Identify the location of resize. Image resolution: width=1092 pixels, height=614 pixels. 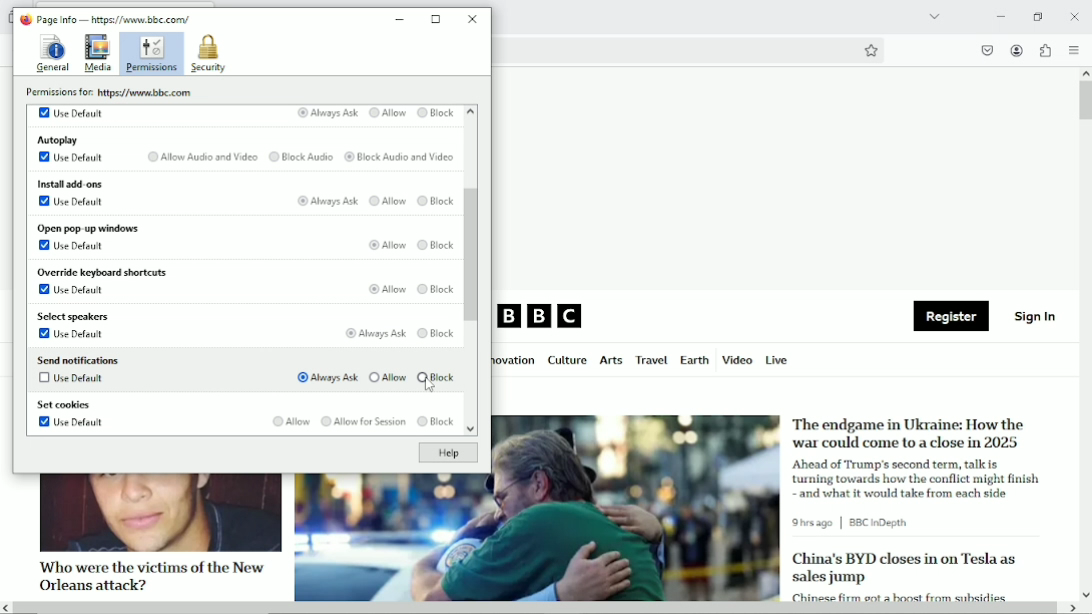
(437, 19).